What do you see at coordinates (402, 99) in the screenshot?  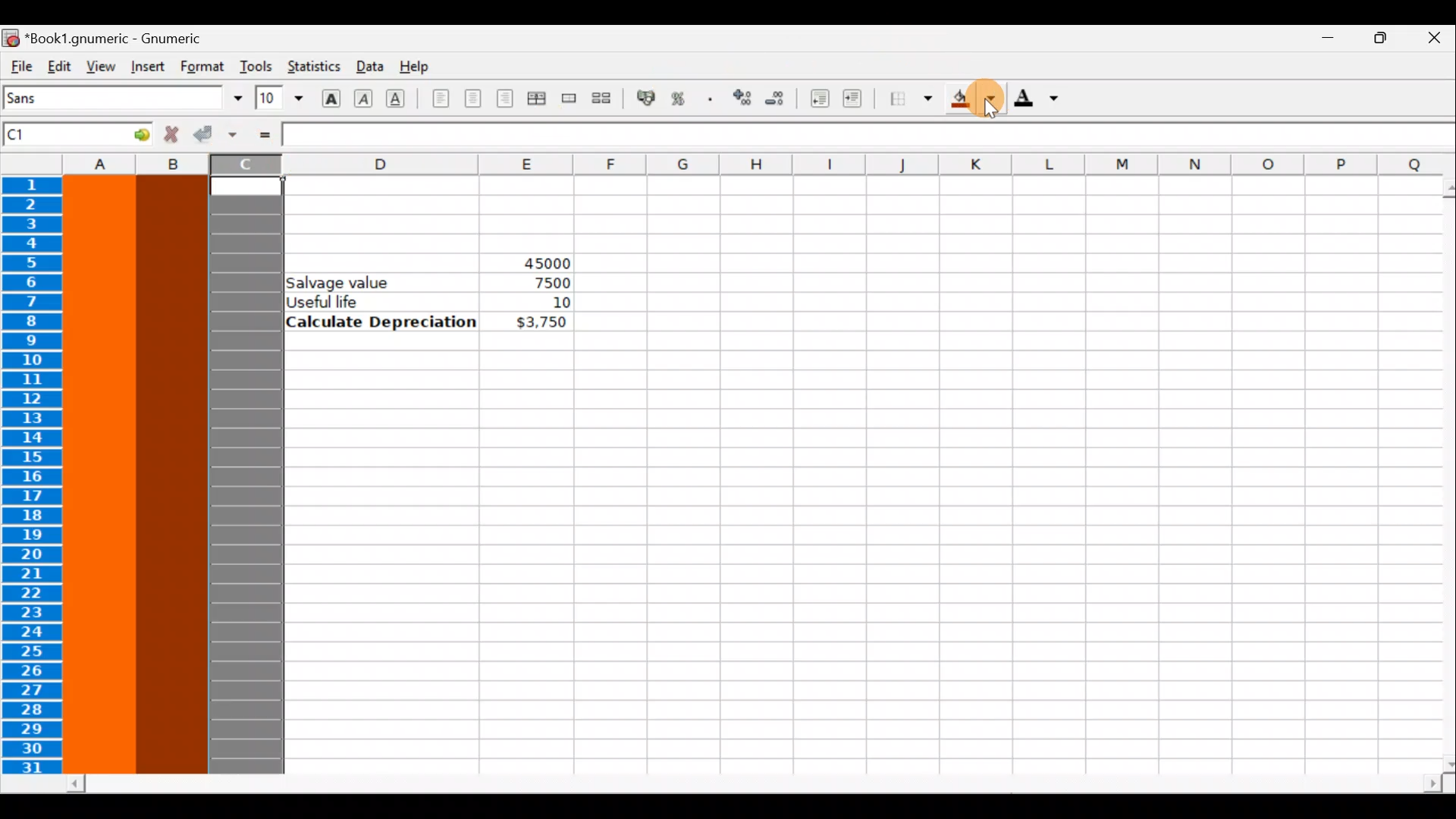 I see `Underline` at bounding box center [402, 99].